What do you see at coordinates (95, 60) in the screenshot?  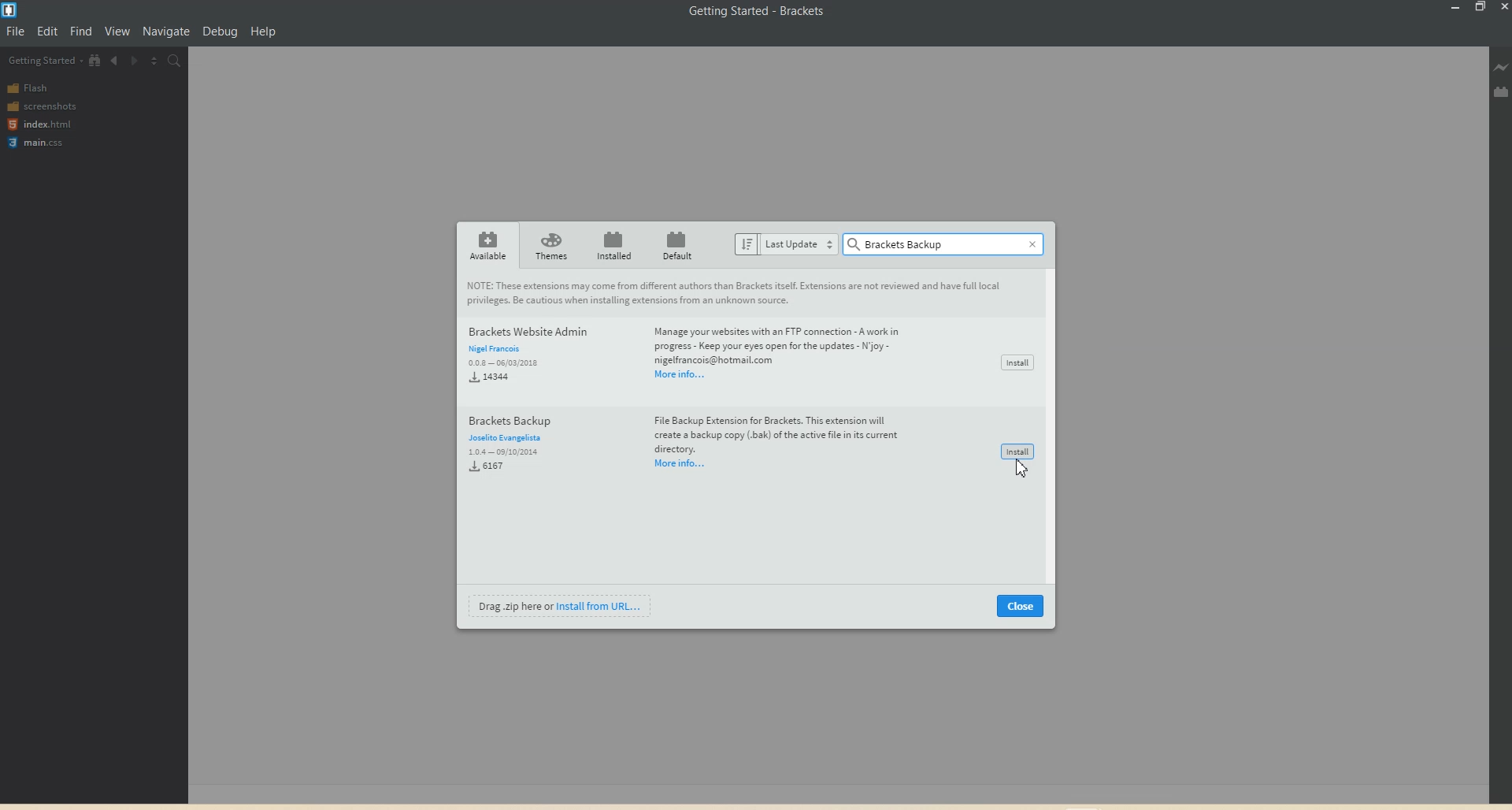 I see `View in file Tree` at bounding box center [95, 60].